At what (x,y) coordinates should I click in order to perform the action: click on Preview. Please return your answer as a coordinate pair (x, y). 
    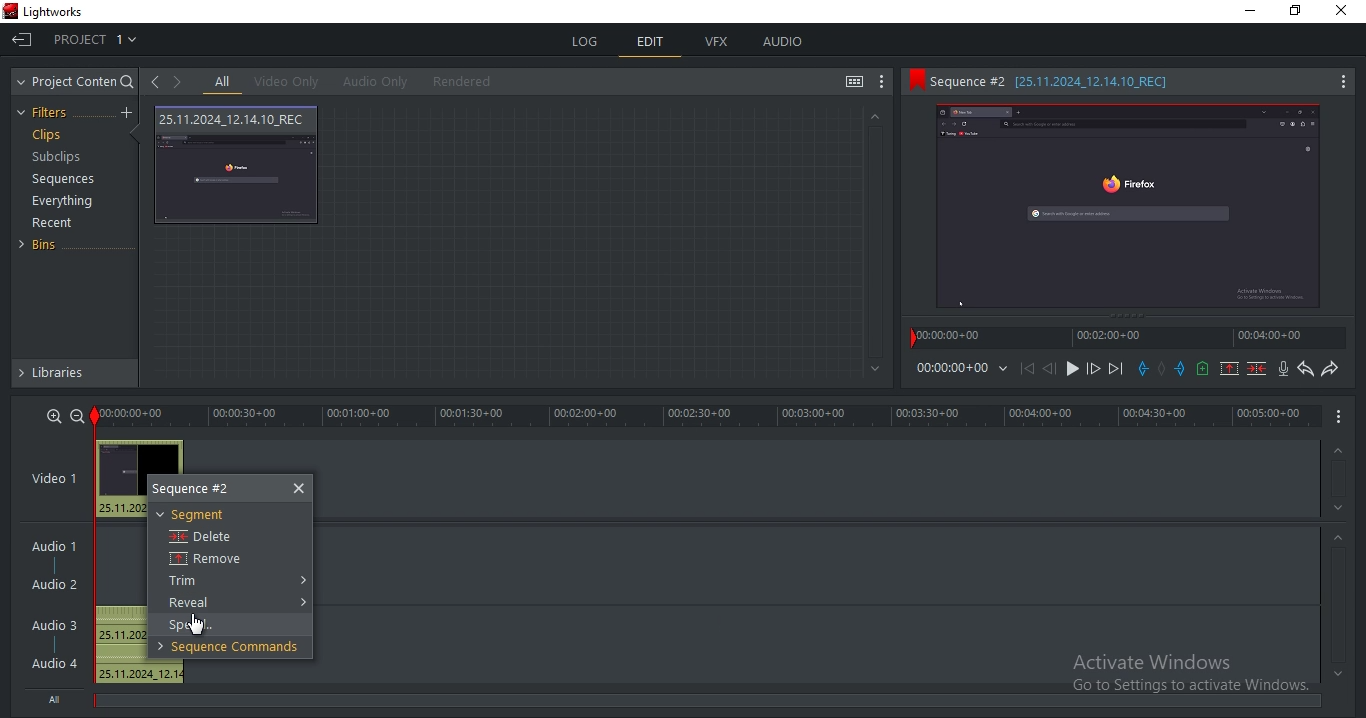
    Looking at the image, I should click on (1136, 211).